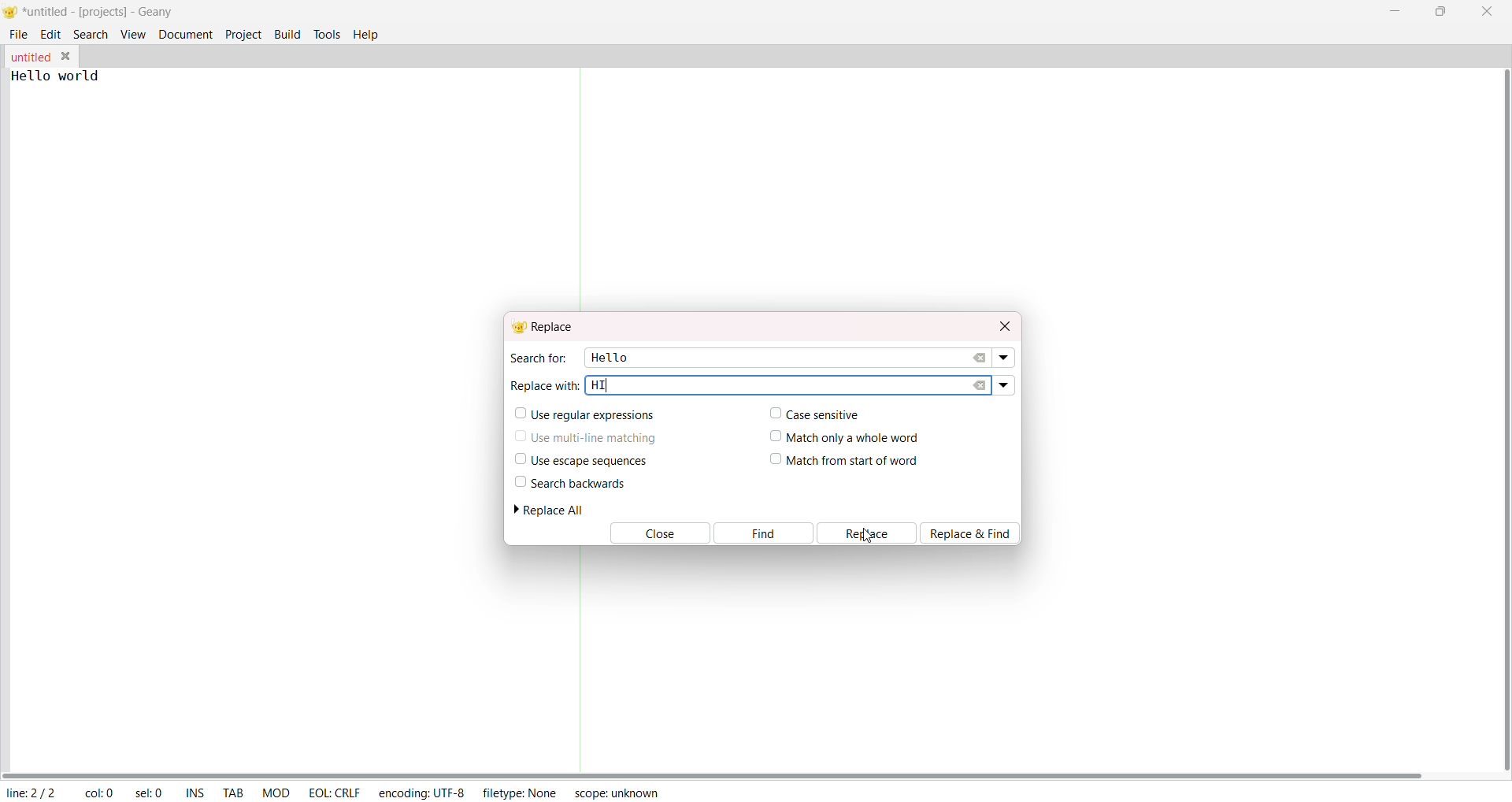 The width and height of the screenshot is (1512, 802). I want to click on replace dropdown, so click(1003, 384).